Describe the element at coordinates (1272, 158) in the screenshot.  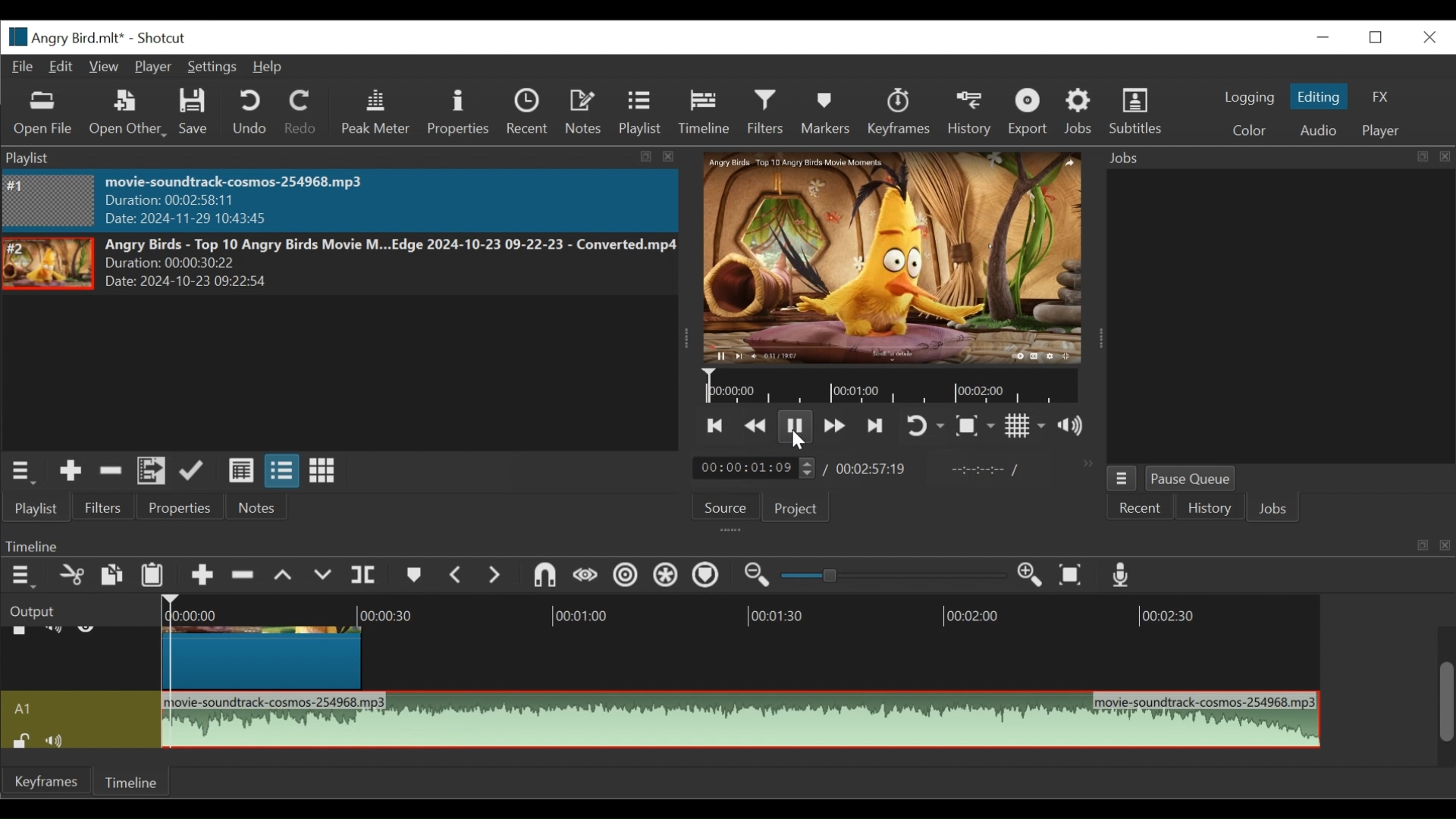
I see `Jobs Panel` at that location.